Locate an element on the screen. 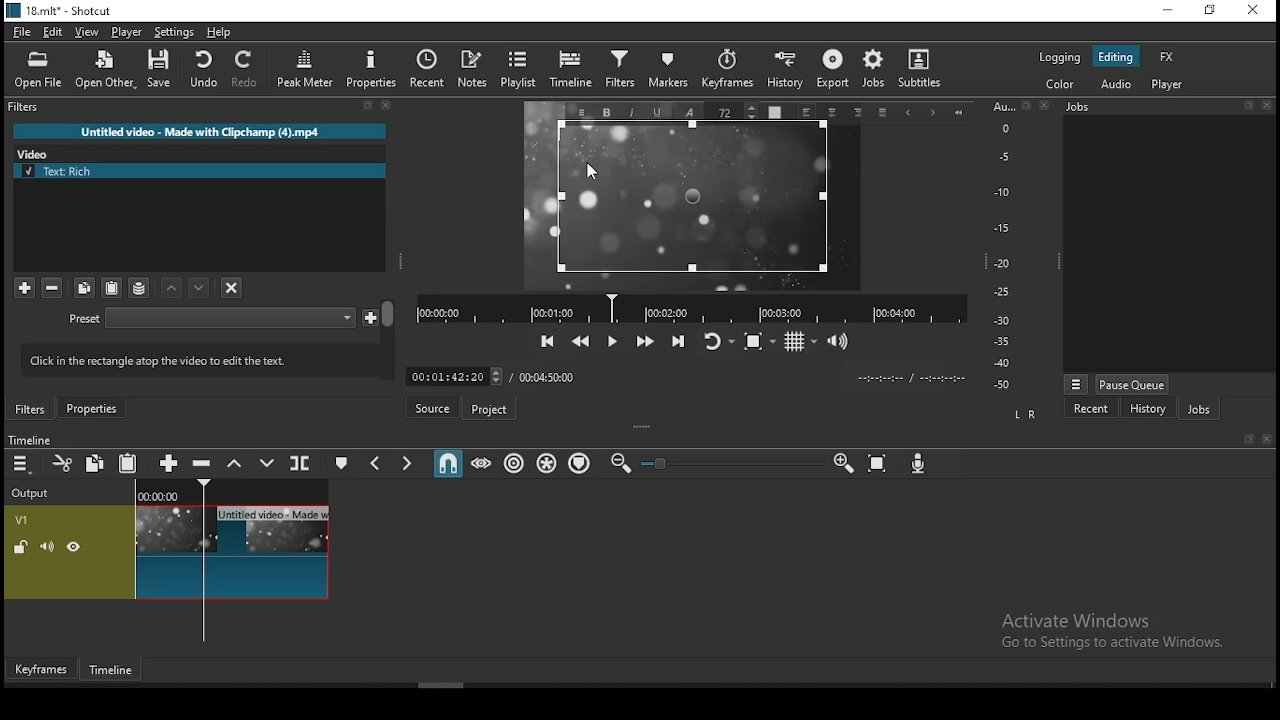  subtitles is located at coordinates (925, 72).